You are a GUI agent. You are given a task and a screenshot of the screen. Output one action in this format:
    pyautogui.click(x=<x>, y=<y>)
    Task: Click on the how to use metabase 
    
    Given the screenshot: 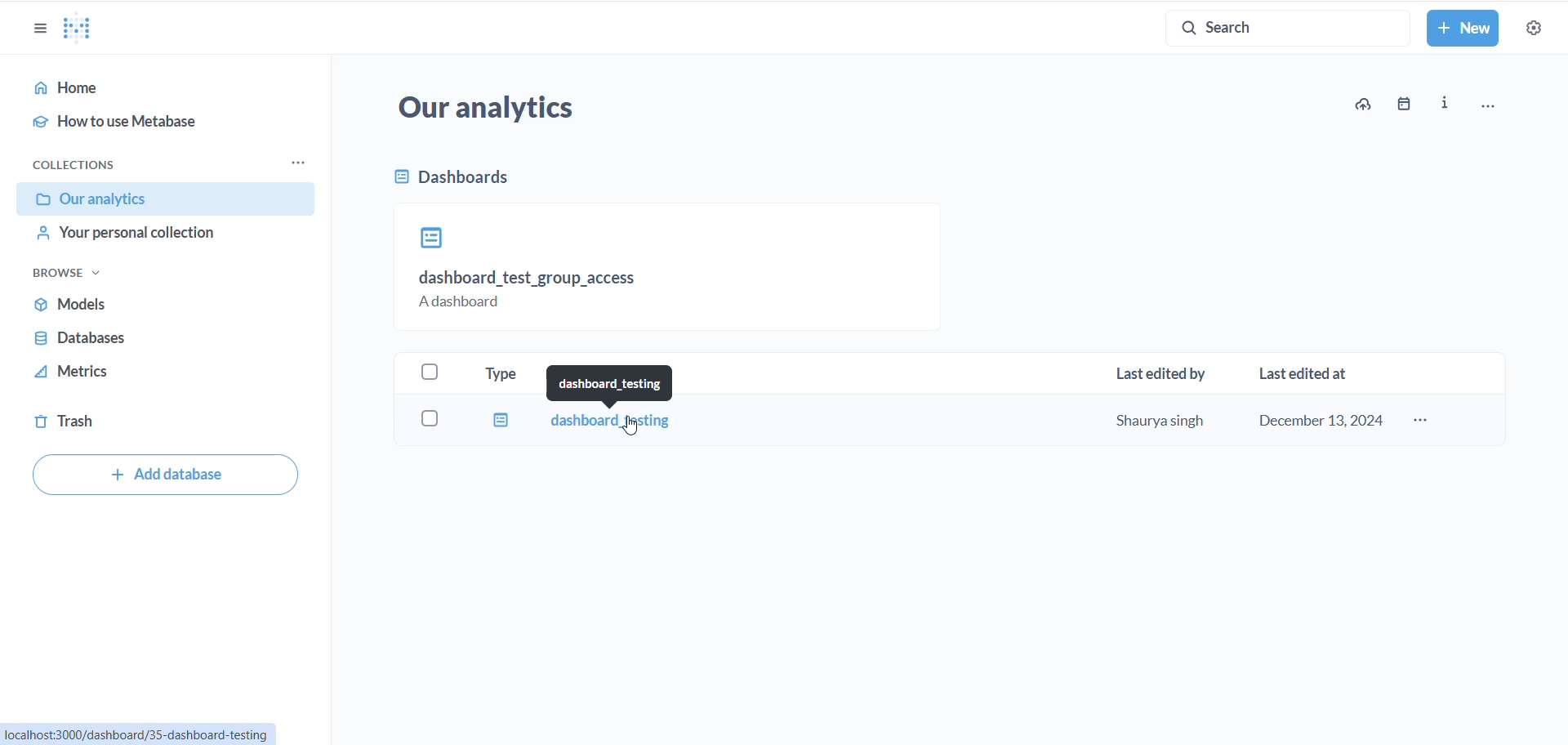 What is the action you would take?
    pyautogui.click(x=156, y=124)
    